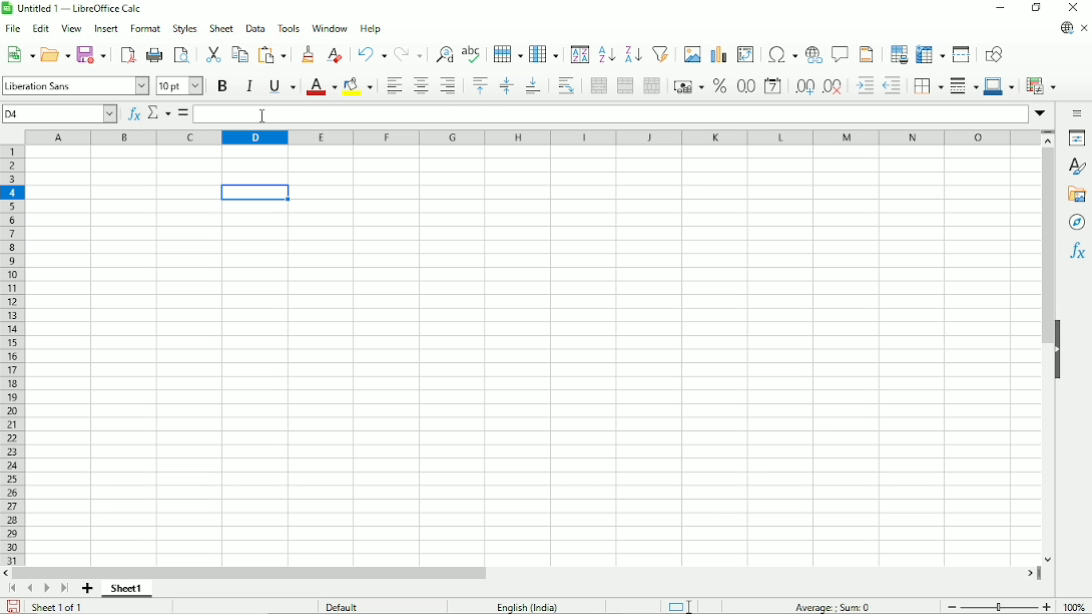 This screenshot has width=1092, height=614. Describe the element at coordinates (30, 588) in the screenshot. I see `Scroll to previous sheet` at that location.